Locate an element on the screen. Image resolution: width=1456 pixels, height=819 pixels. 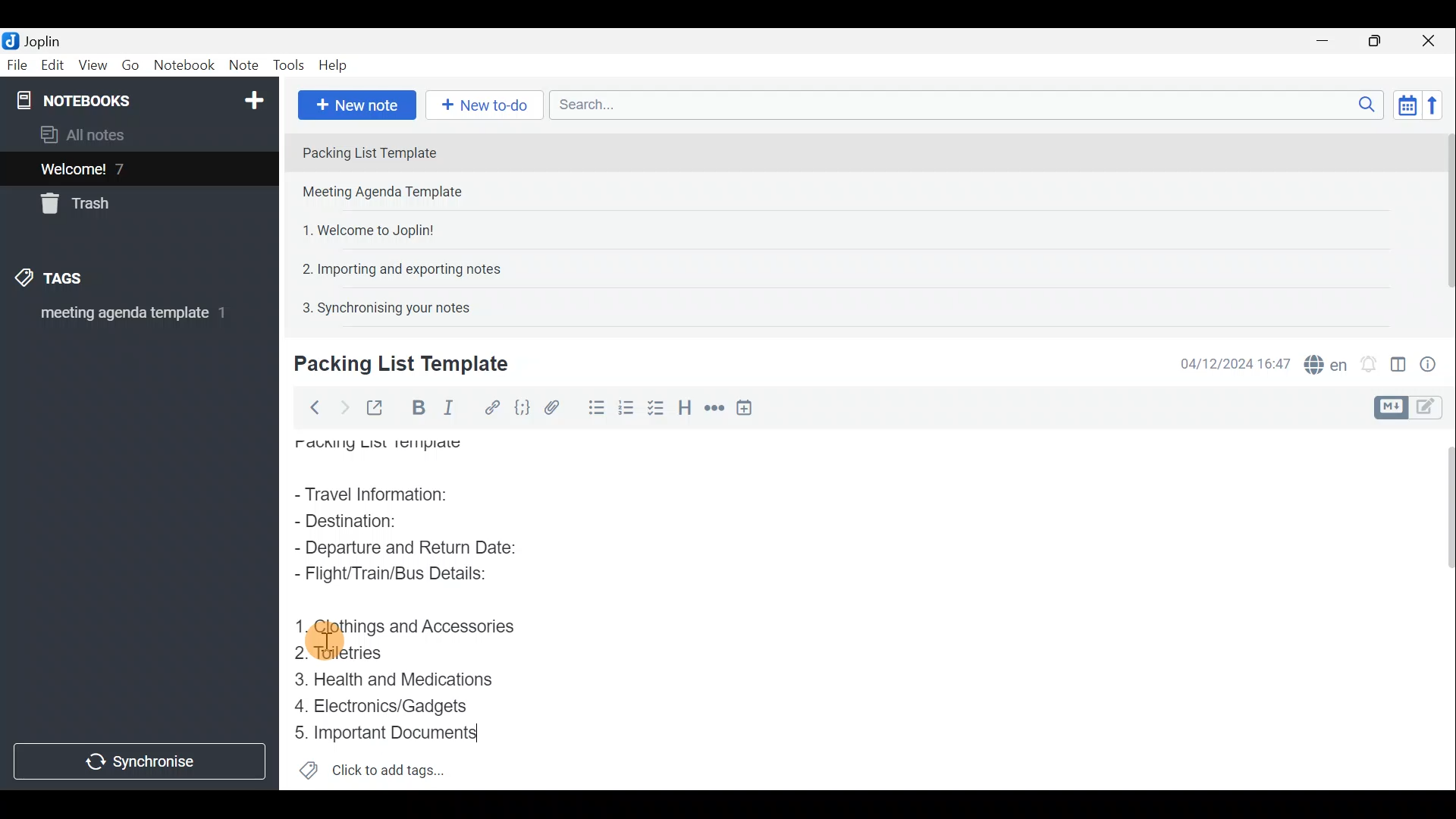
Toggle editor layout is located at coordinates (1398, 359).